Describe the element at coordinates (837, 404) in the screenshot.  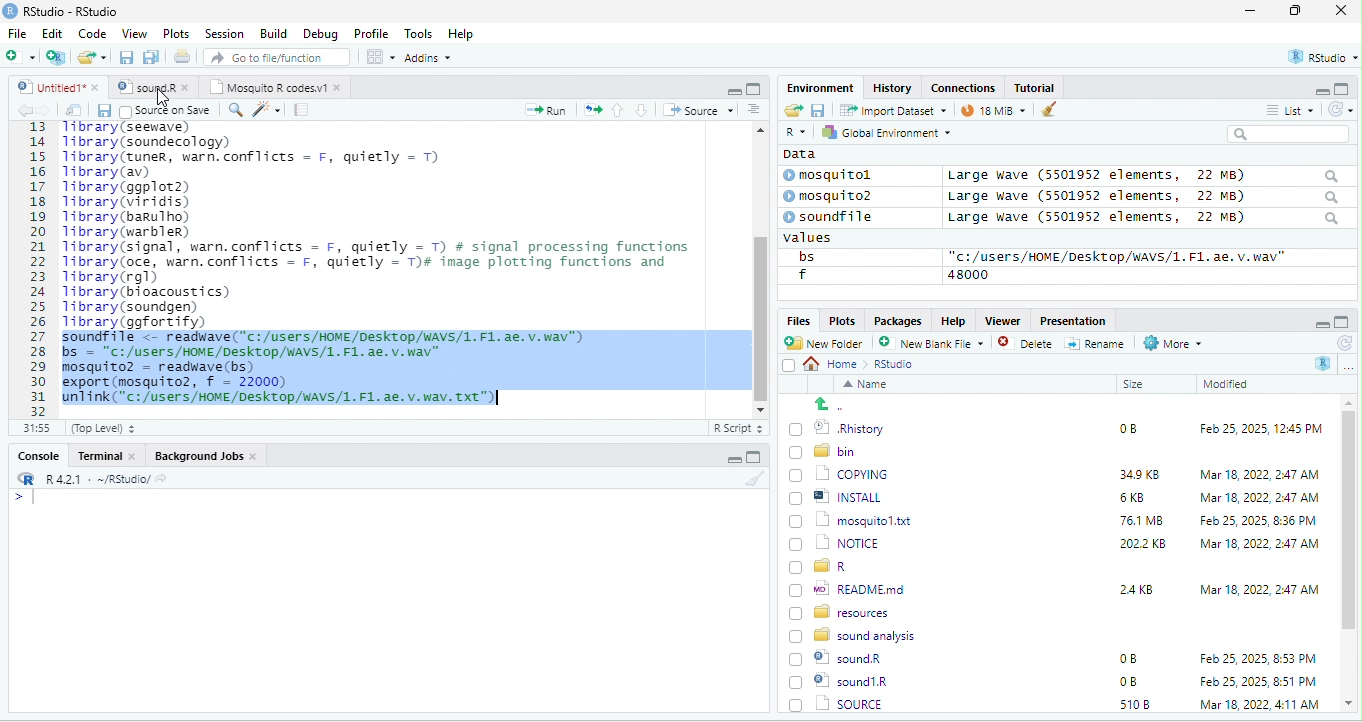
I see `go back` at that location.